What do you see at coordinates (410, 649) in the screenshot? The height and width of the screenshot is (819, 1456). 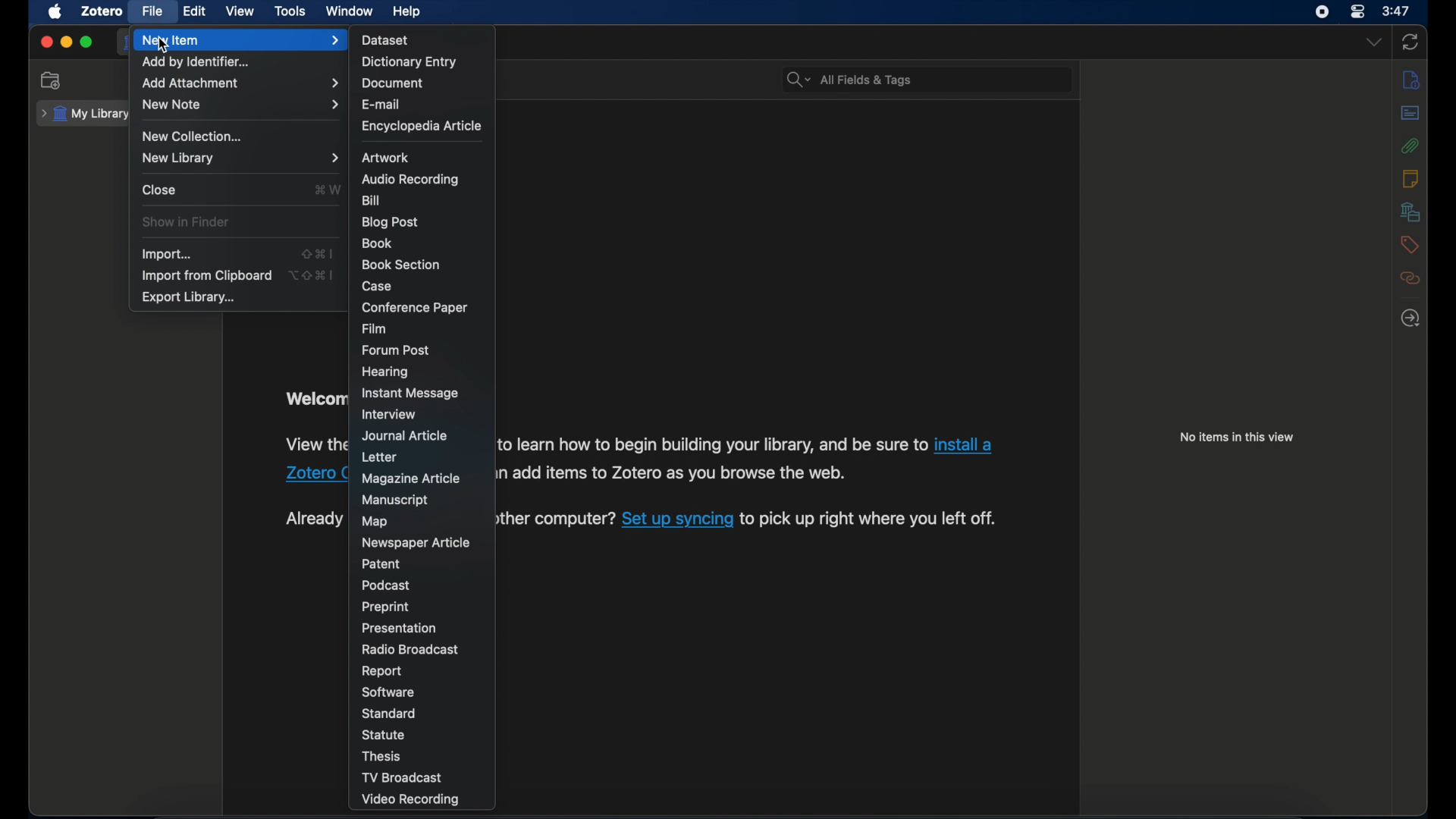 I see `radio broadcast` at bounding box center [410, 649].